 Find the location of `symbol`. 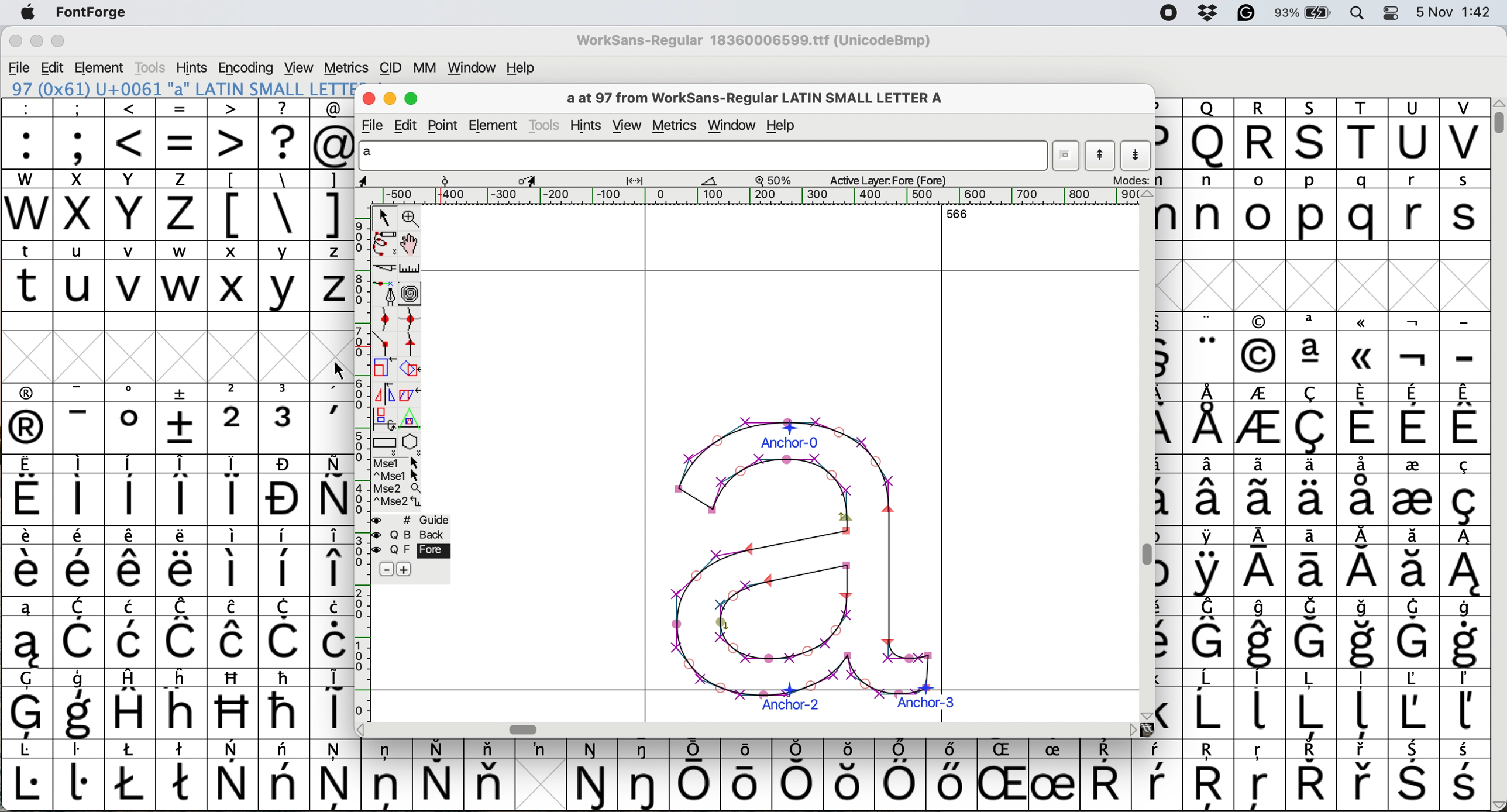

symbol is located at coordinates (285, 632).